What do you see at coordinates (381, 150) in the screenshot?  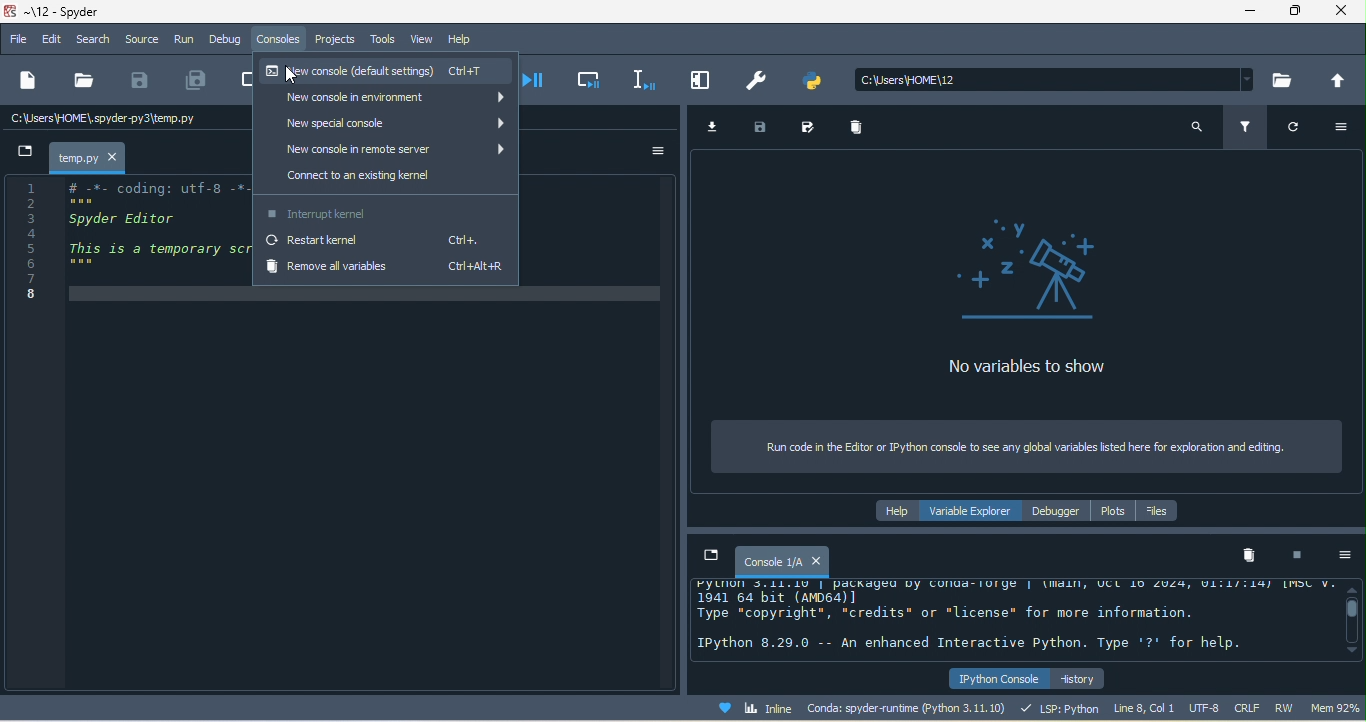 I see `new console in remote server` at bounding box center [381, 150].